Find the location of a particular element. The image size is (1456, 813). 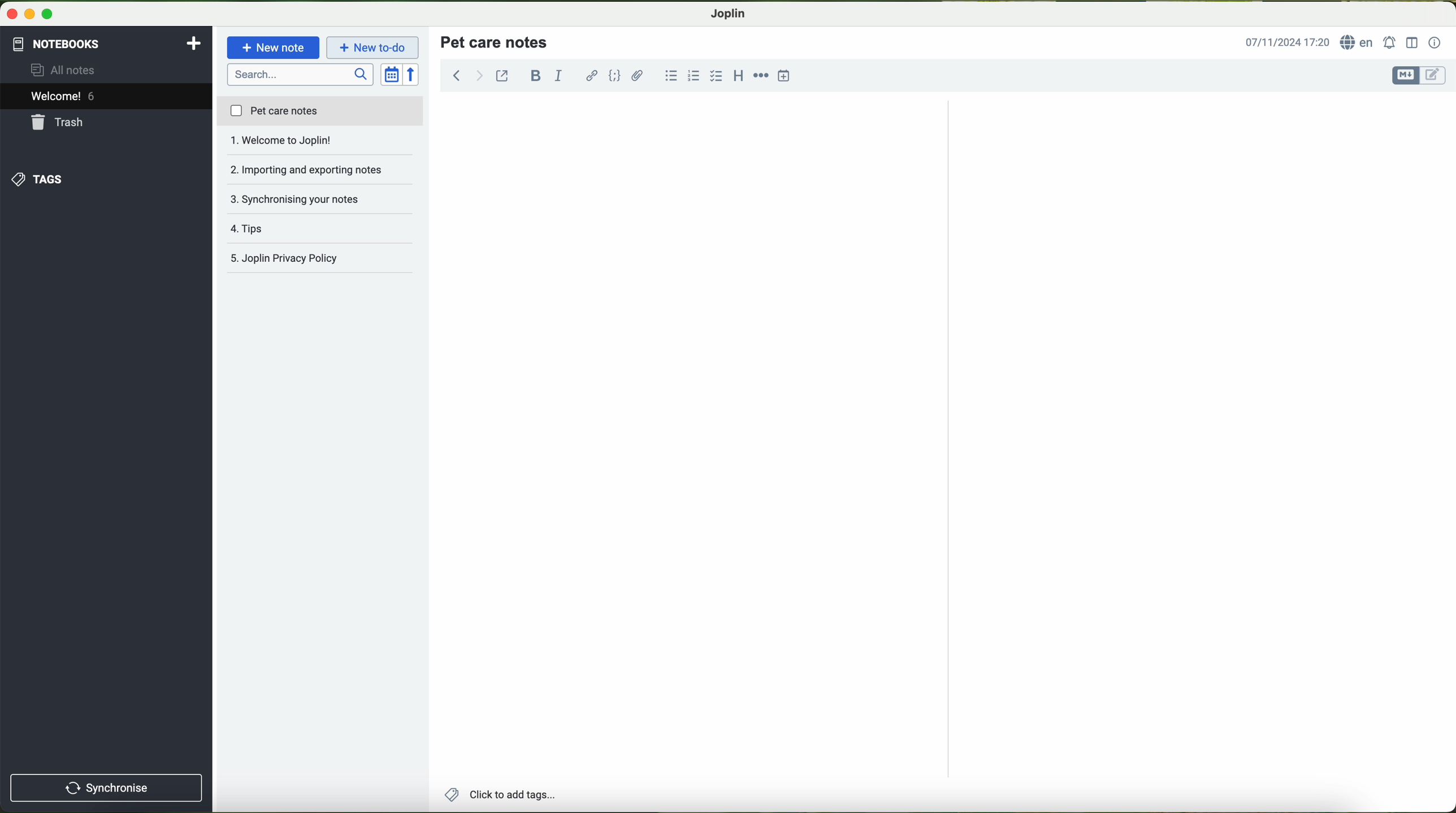

hour and date is located at coordinates (1286, 43).